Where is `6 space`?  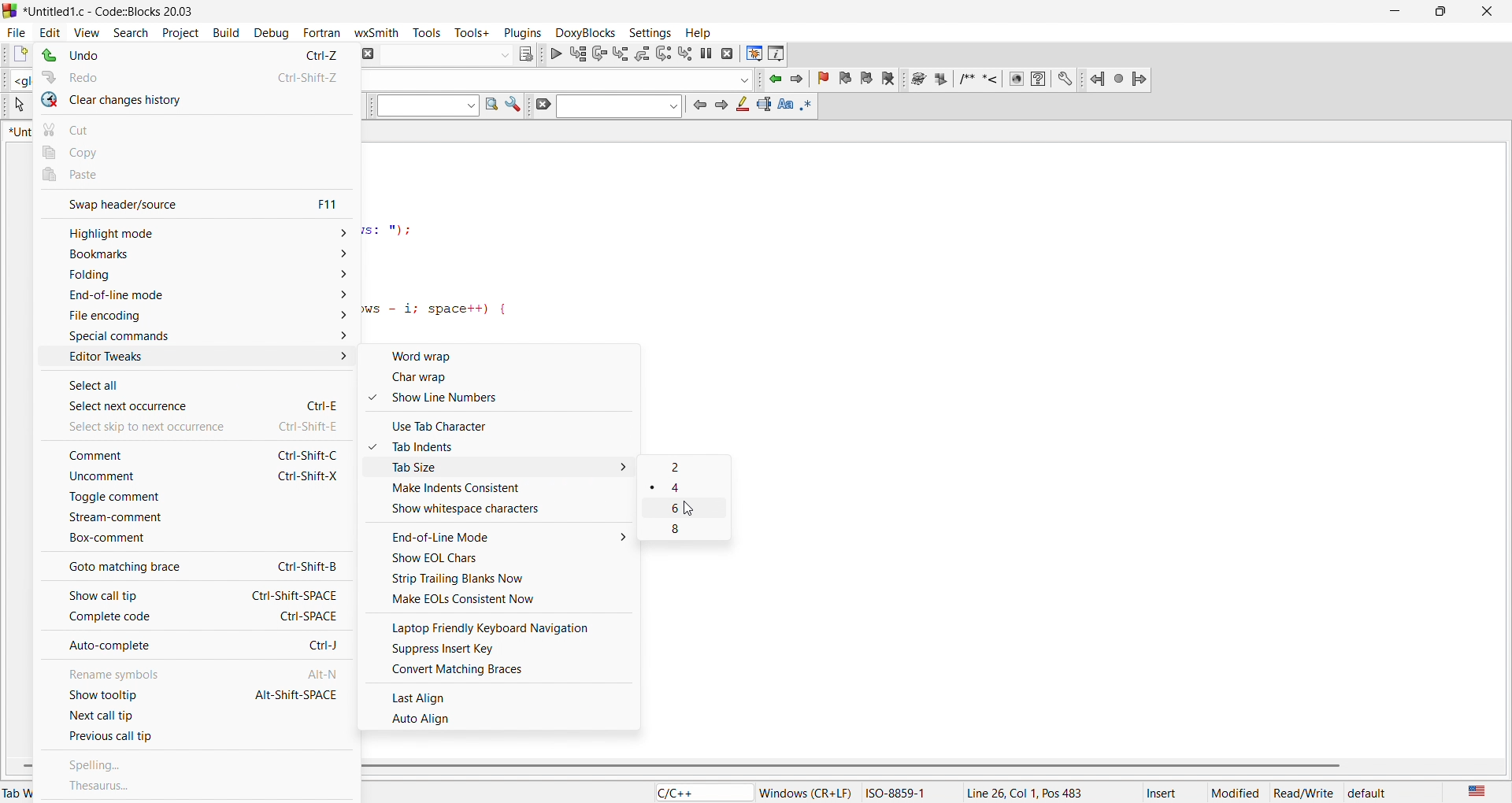
6 space is located at coordinates (693, 509).